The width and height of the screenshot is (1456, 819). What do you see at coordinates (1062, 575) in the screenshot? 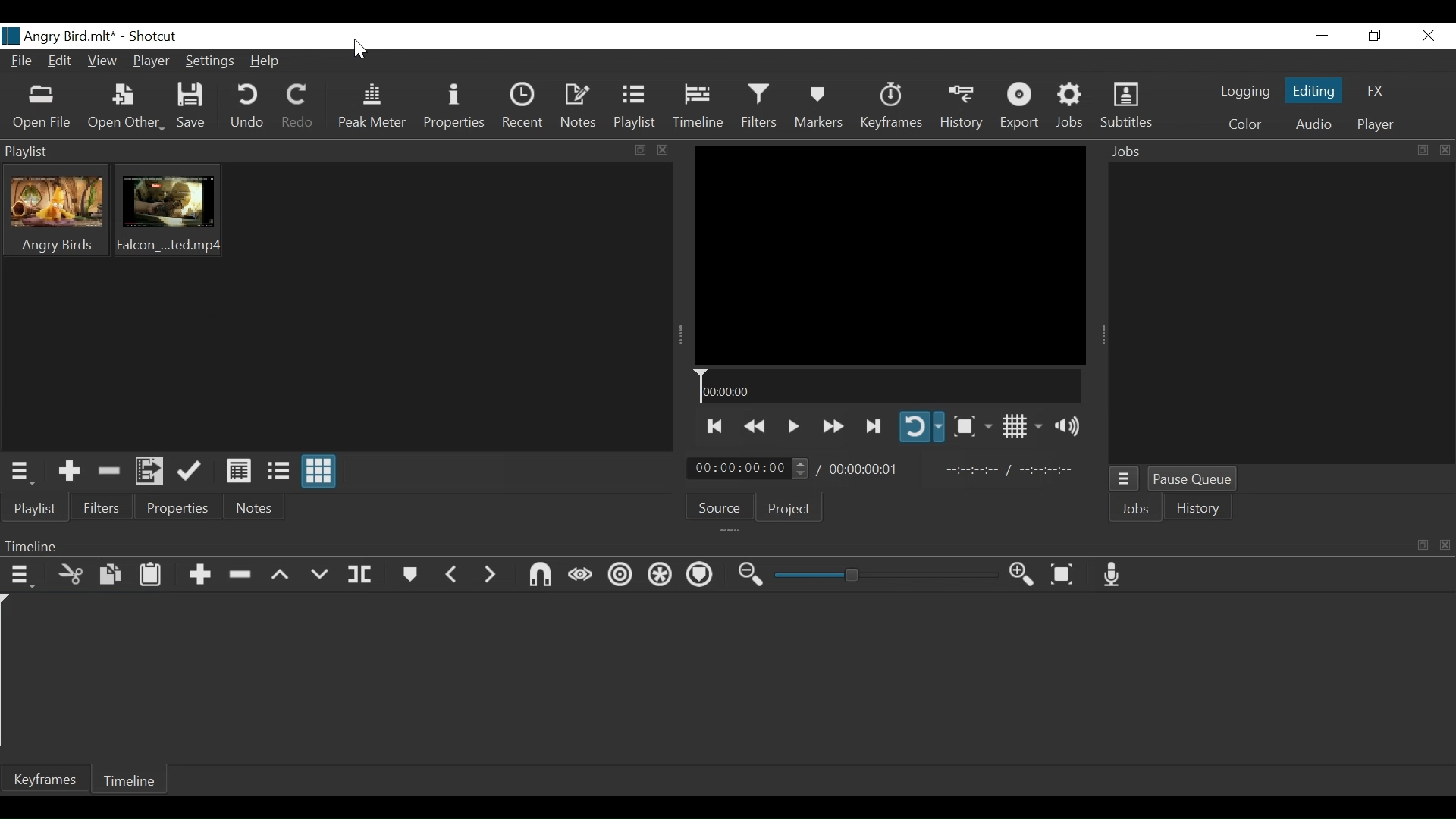
I see `Zoom timeline to fit` at bounding box center [1062, 575].